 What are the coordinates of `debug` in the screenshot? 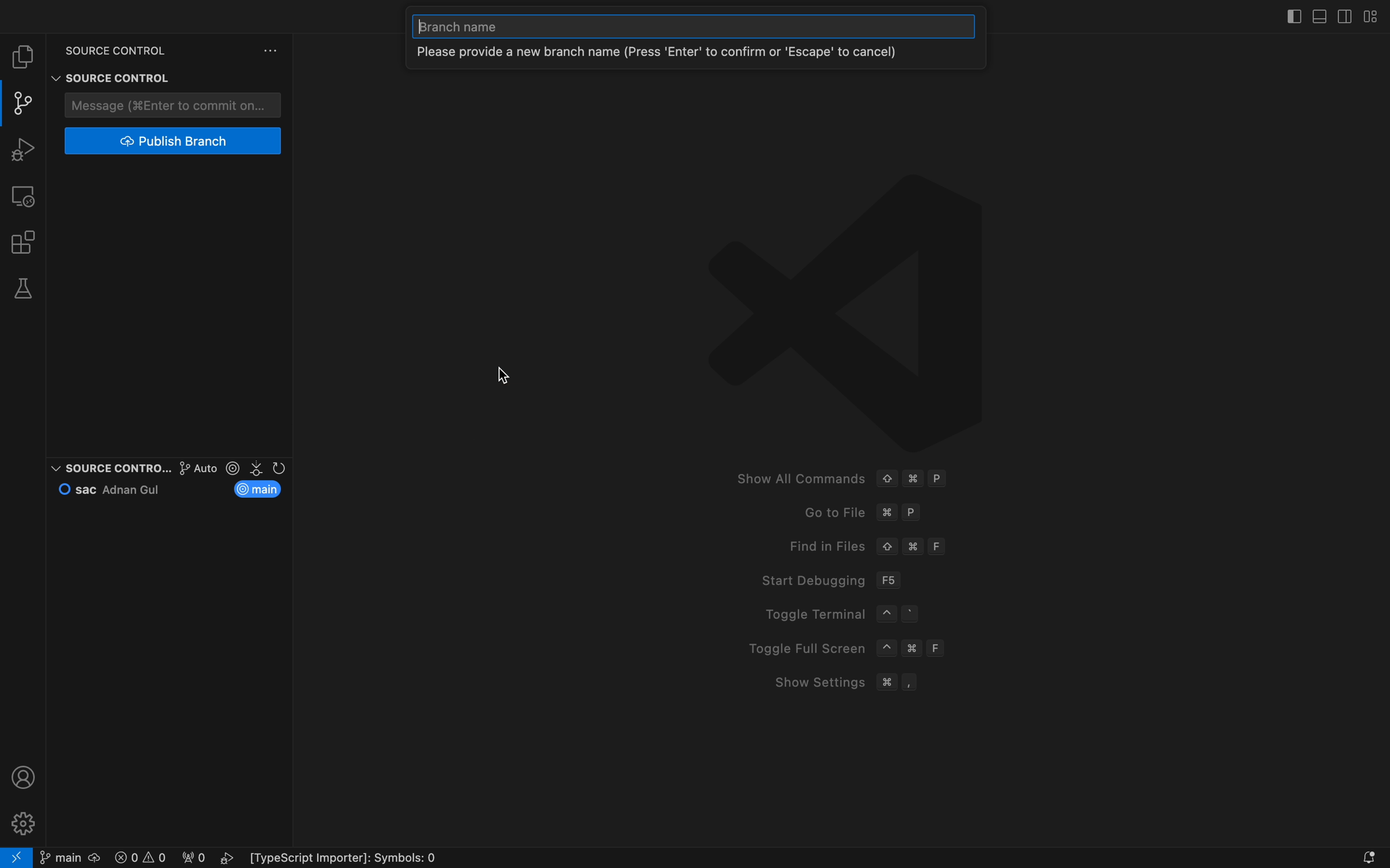 It's located at (27, 149).